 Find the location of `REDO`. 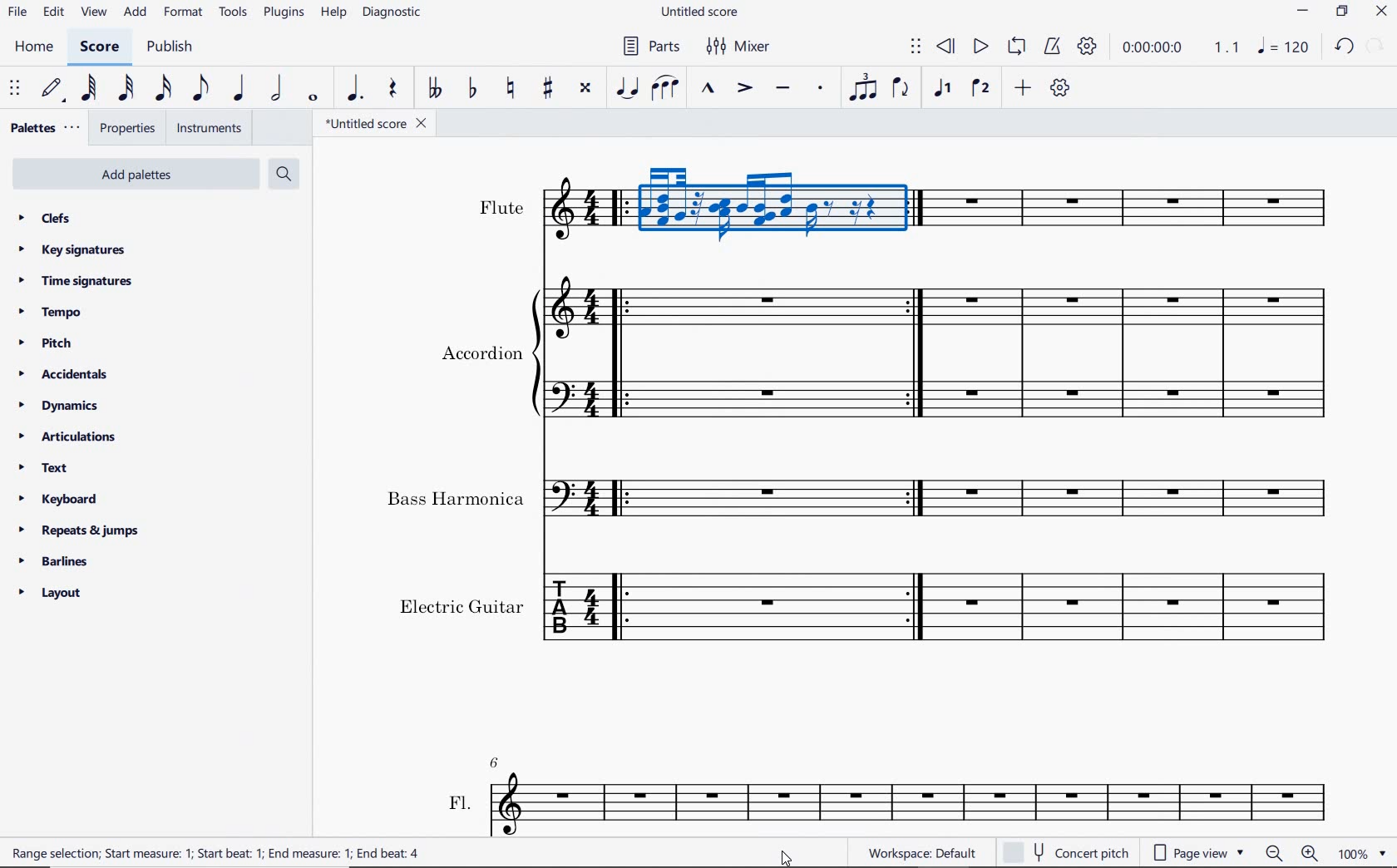

REDO is located at coordinates (1376, 47).